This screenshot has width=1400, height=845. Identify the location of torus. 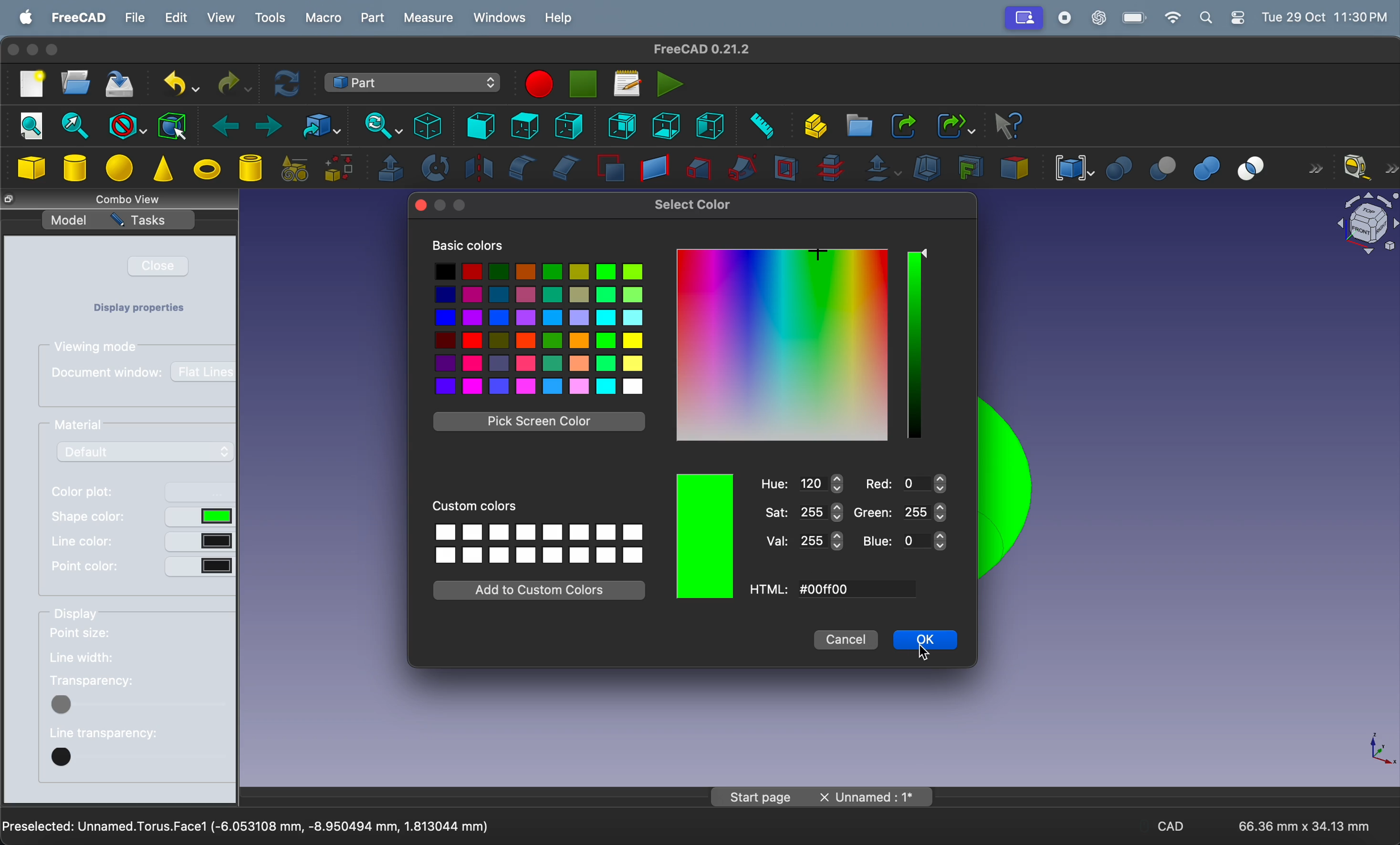
(208, 171).